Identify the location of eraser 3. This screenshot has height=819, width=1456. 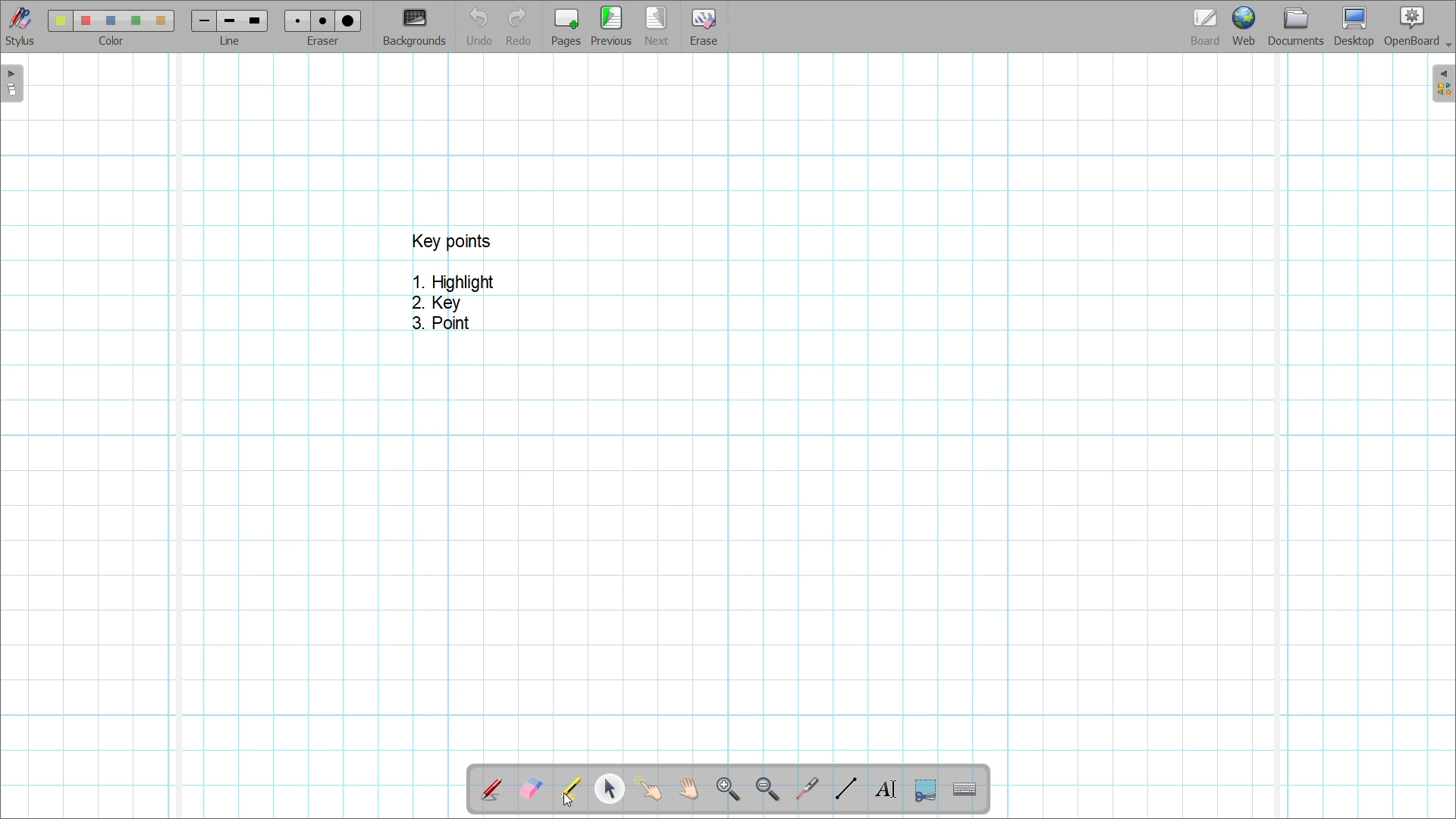
(349, 20).